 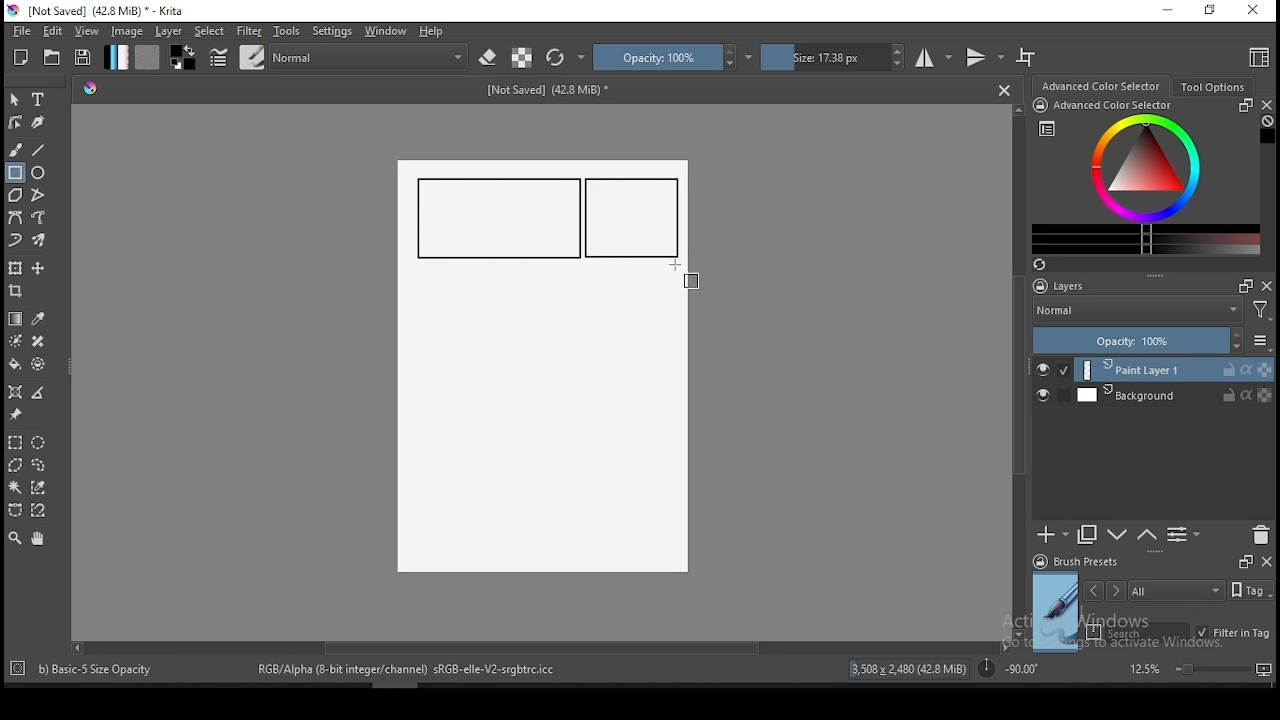 What do you see at coordinates (15, 511) in the screenshot?
I see `bezier curve selection tool` at bounding box center [15, 511].